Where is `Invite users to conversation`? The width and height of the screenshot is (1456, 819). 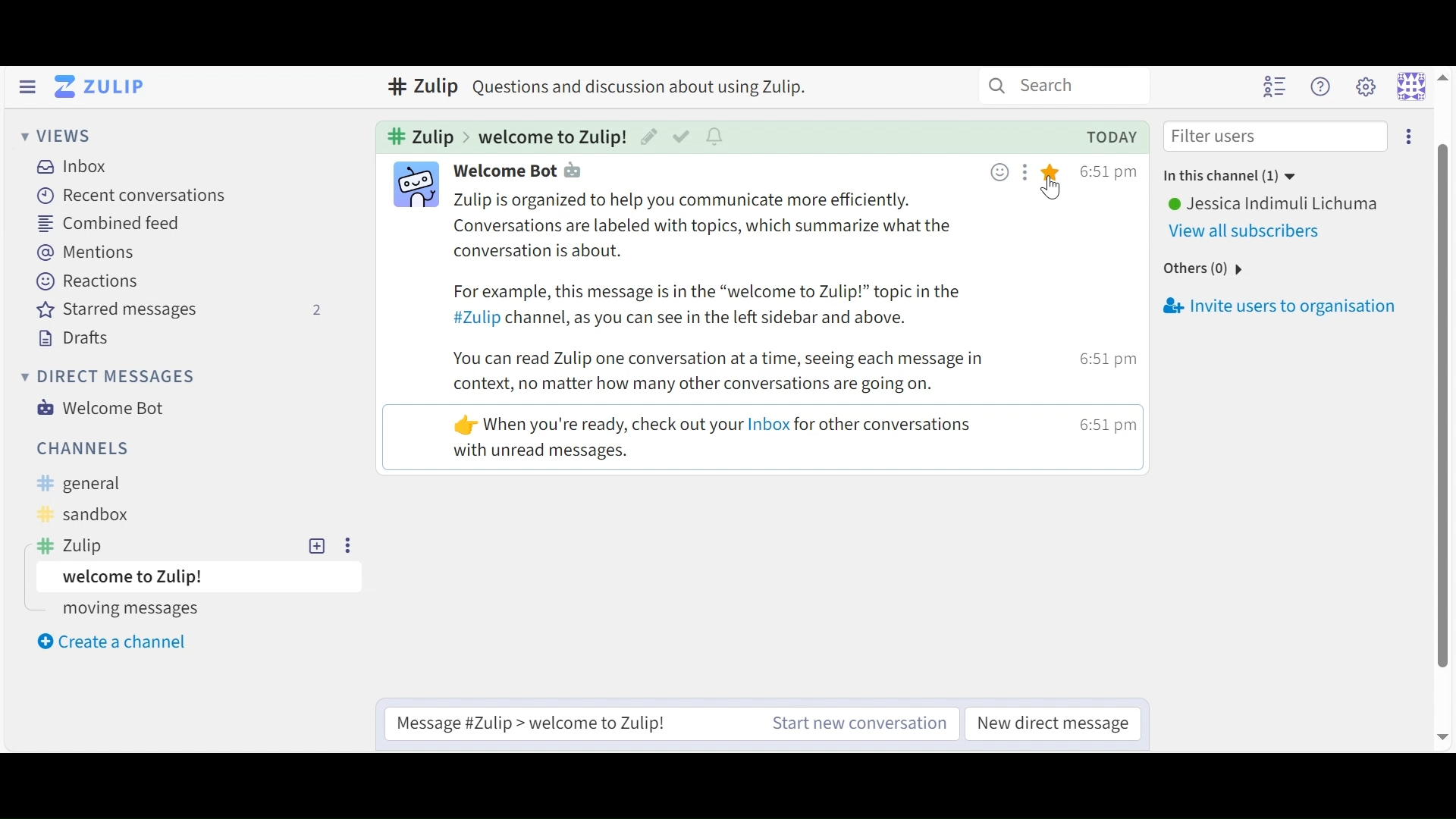
Invite users to conversation is located at coordinates (1408, 136).